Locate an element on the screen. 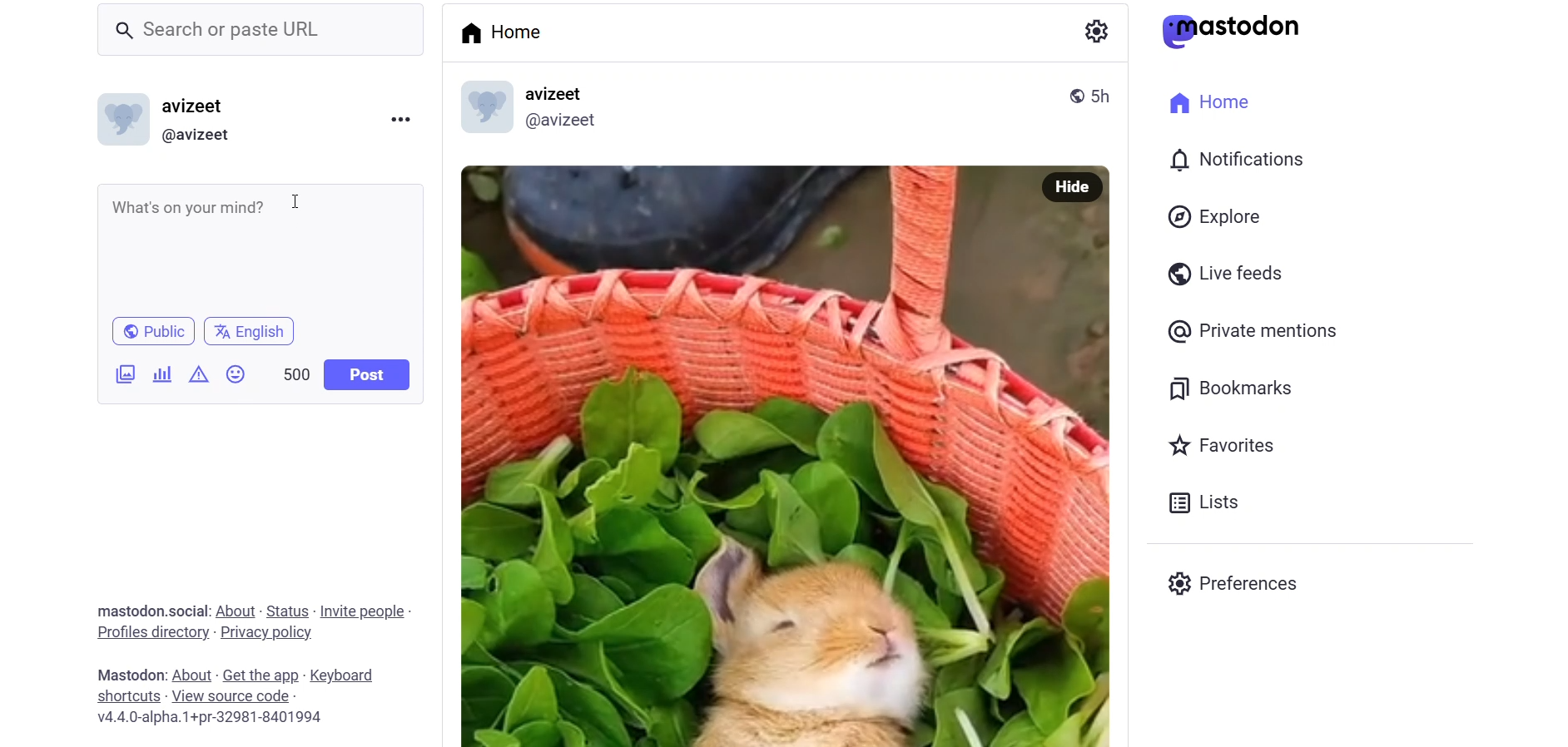 This screenshot has width=1568, height=747. list is located at coordinates (1204, 502).